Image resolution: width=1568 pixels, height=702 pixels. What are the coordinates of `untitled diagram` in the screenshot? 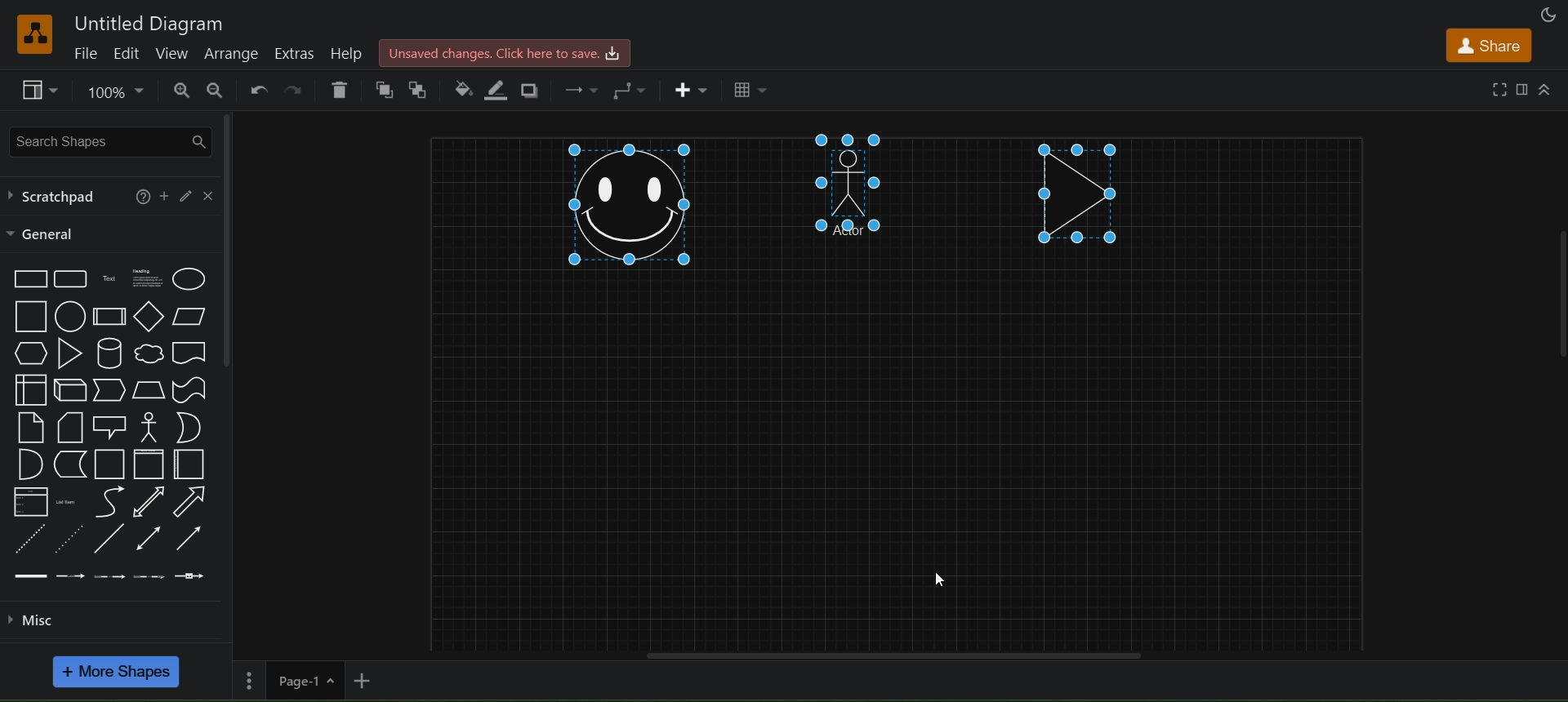 It's located at (152, 22).